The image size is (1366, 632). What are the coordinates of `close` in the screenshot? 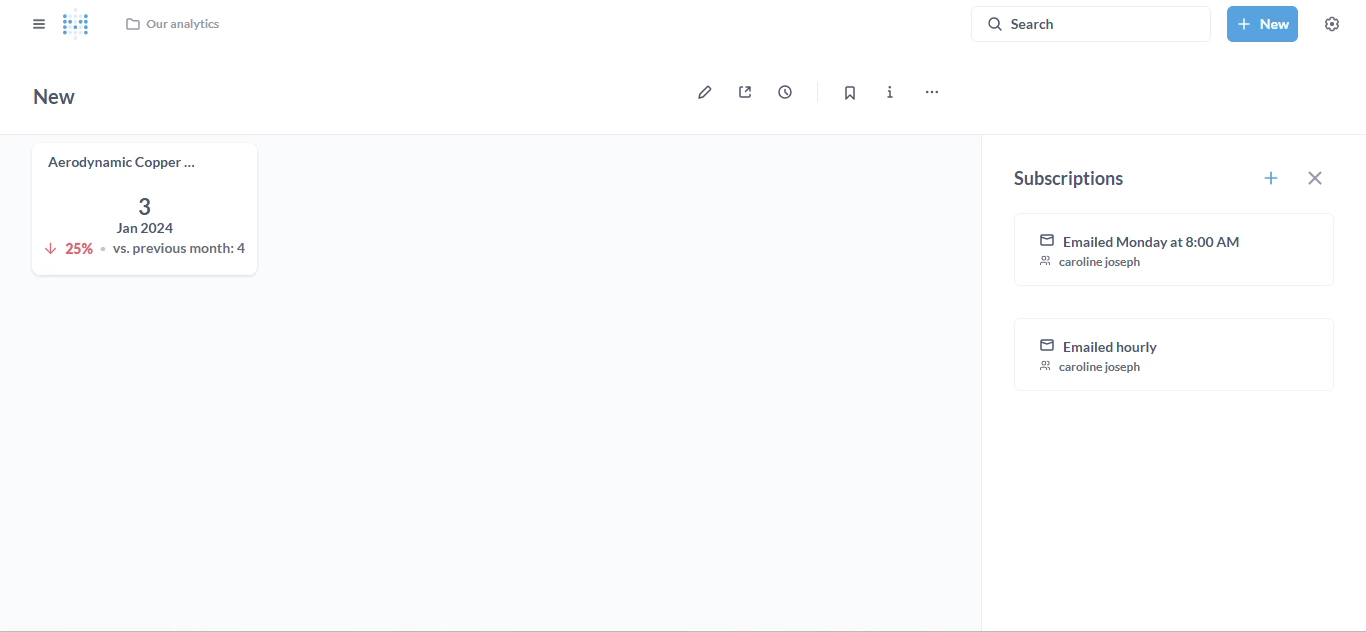 It's located at (1315, 177).